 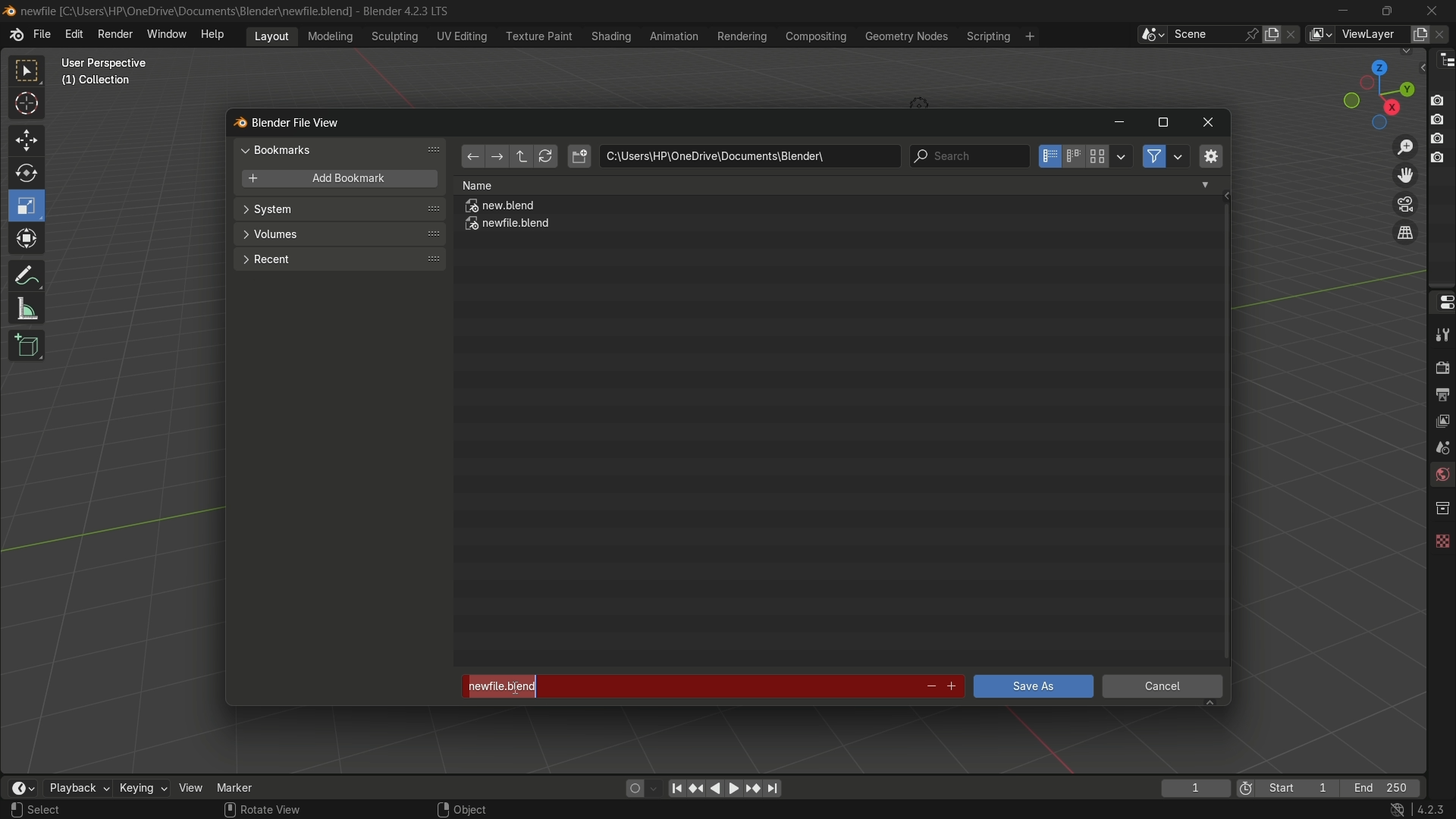 What do you see at coordinates (1382, 789) in the screenshot?
I see `final frame of the playback` at bounding box center [1382, 789].